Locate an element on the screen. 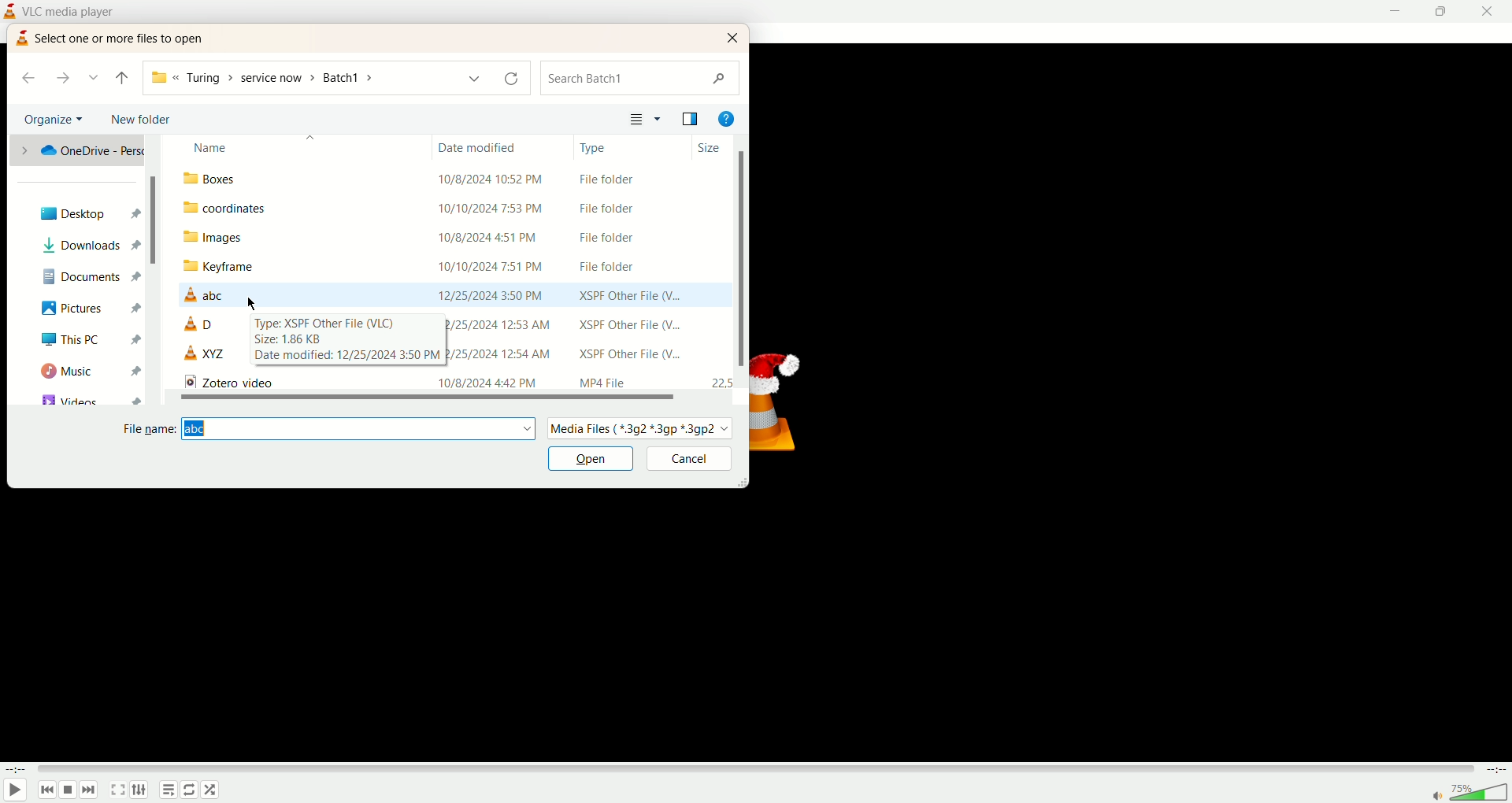 This screenshot has height=803, width=1512. file name is located at coordinates (146, 430).